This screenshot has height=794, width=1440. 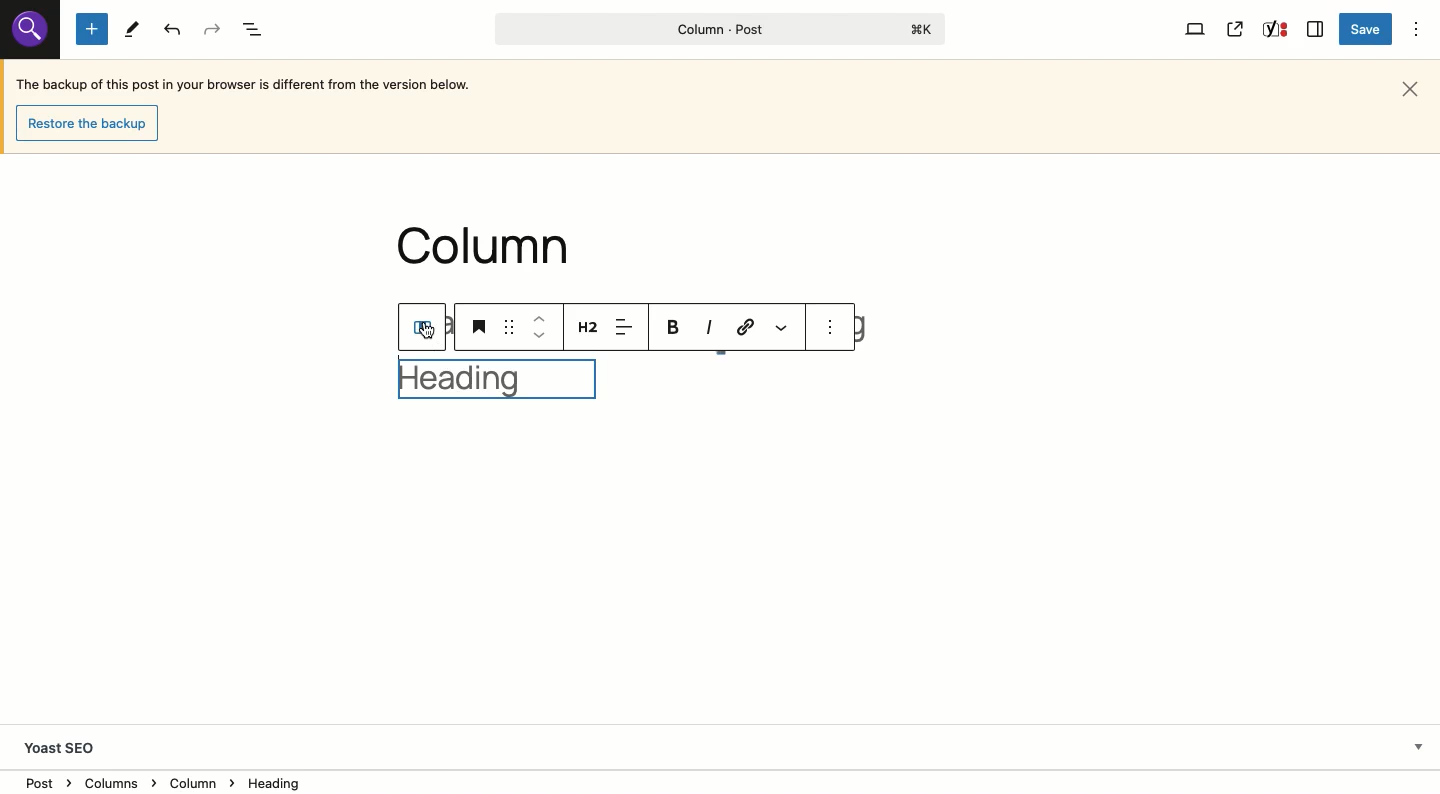 What do you see at coordinates (213, 30) in the screenshot?
I see `Redo` at bounding box center [213, 30].